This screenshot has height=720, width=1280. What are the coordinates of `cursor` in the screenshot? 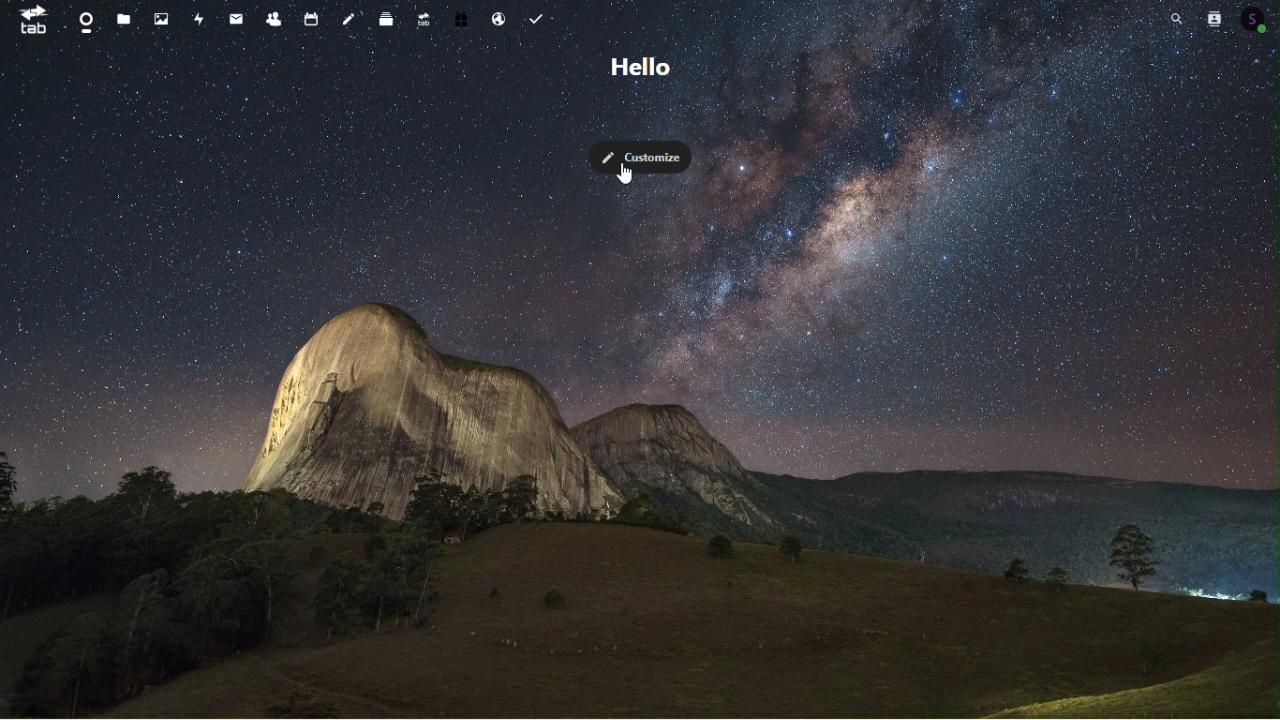 It's located at (628, 176).